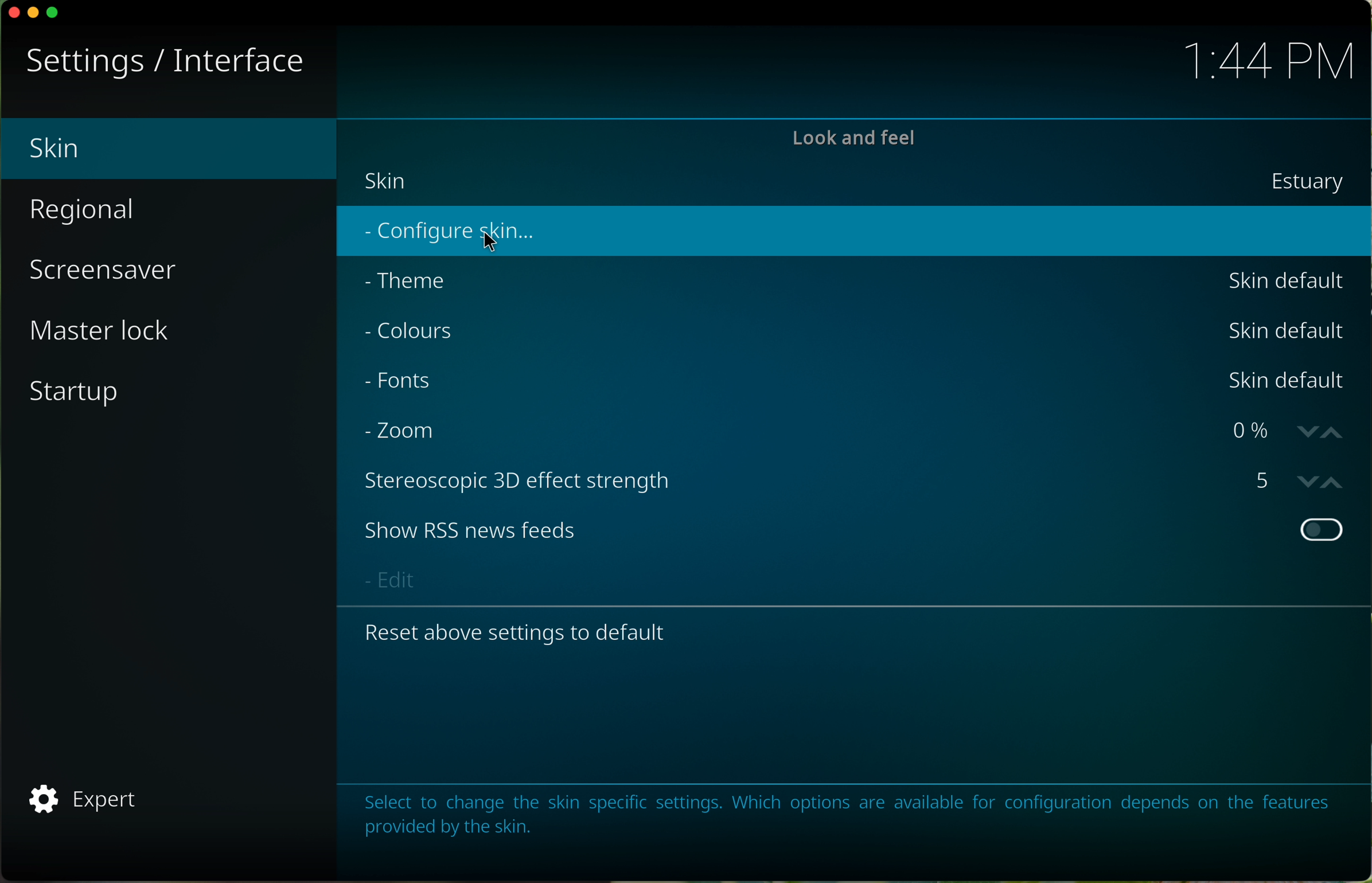  Describe the element at coordinates (386, 181) in the screenshot. I see `skin` at that location.